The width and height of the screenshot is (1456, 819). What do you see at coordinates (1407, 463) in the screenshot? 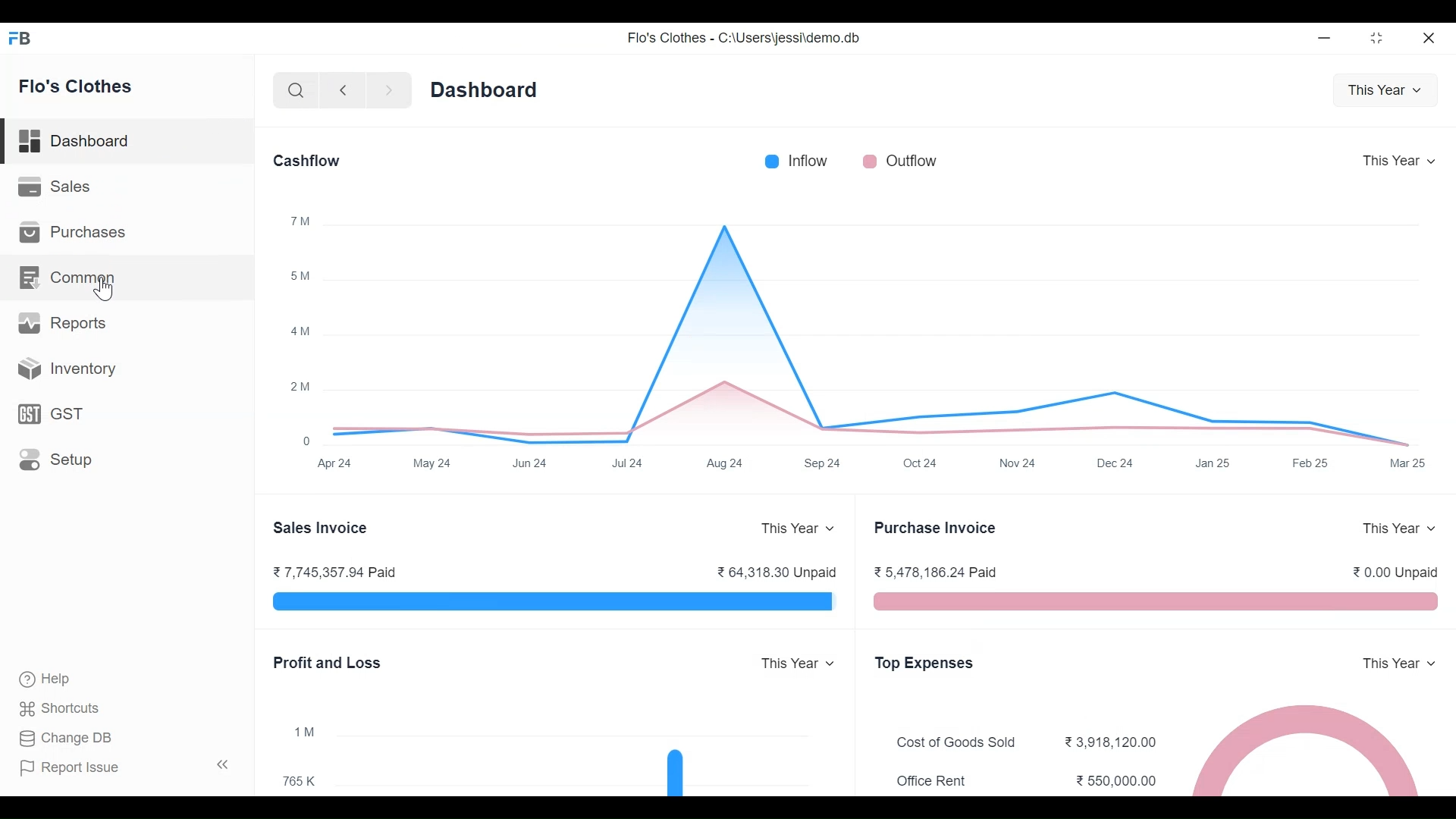
I see `Mar 25` at bounding box center [1407, 463].